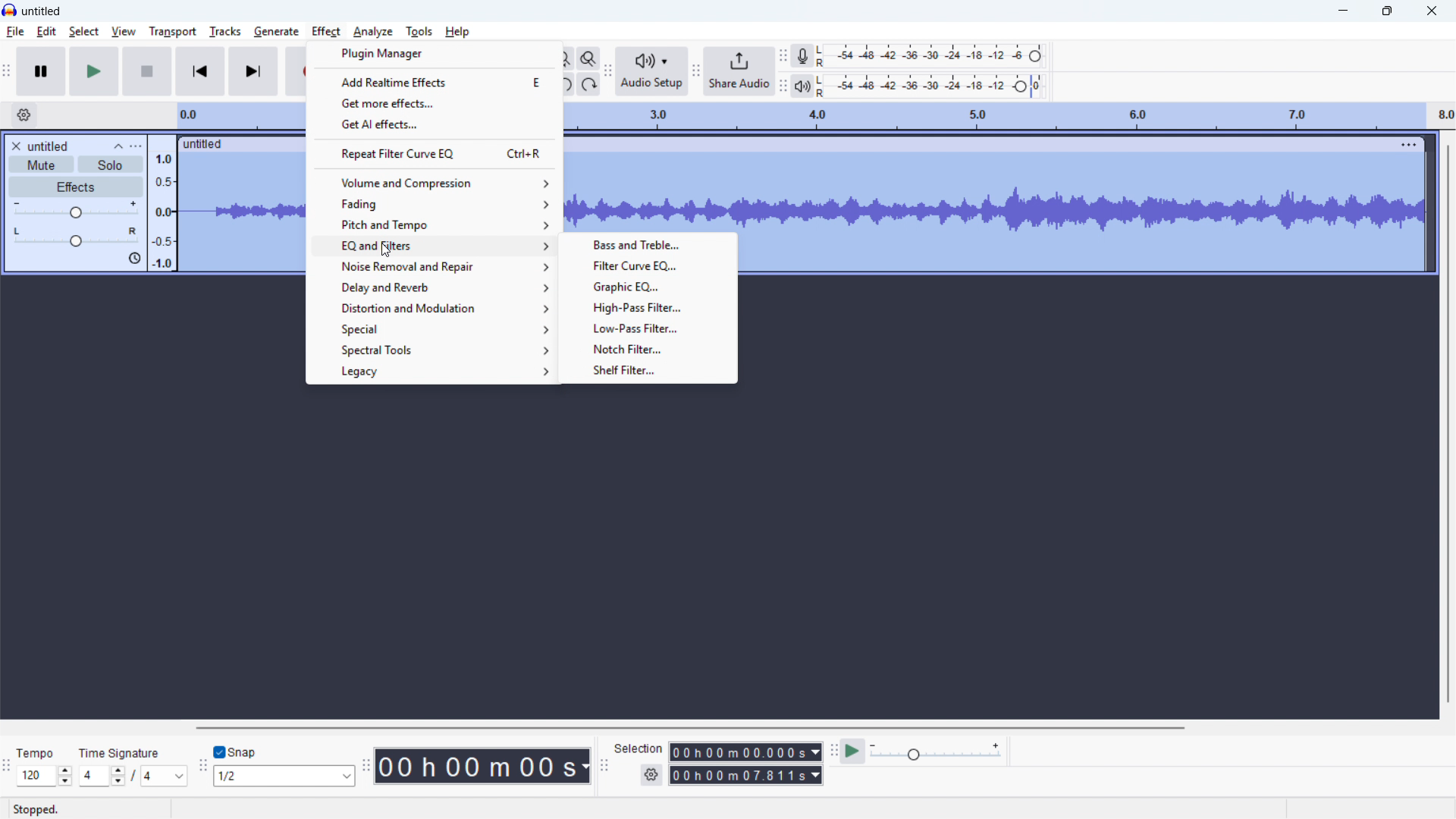 The width and height of the screenshot is (1456, 819). I want to click on stopped., so click(36, 810).